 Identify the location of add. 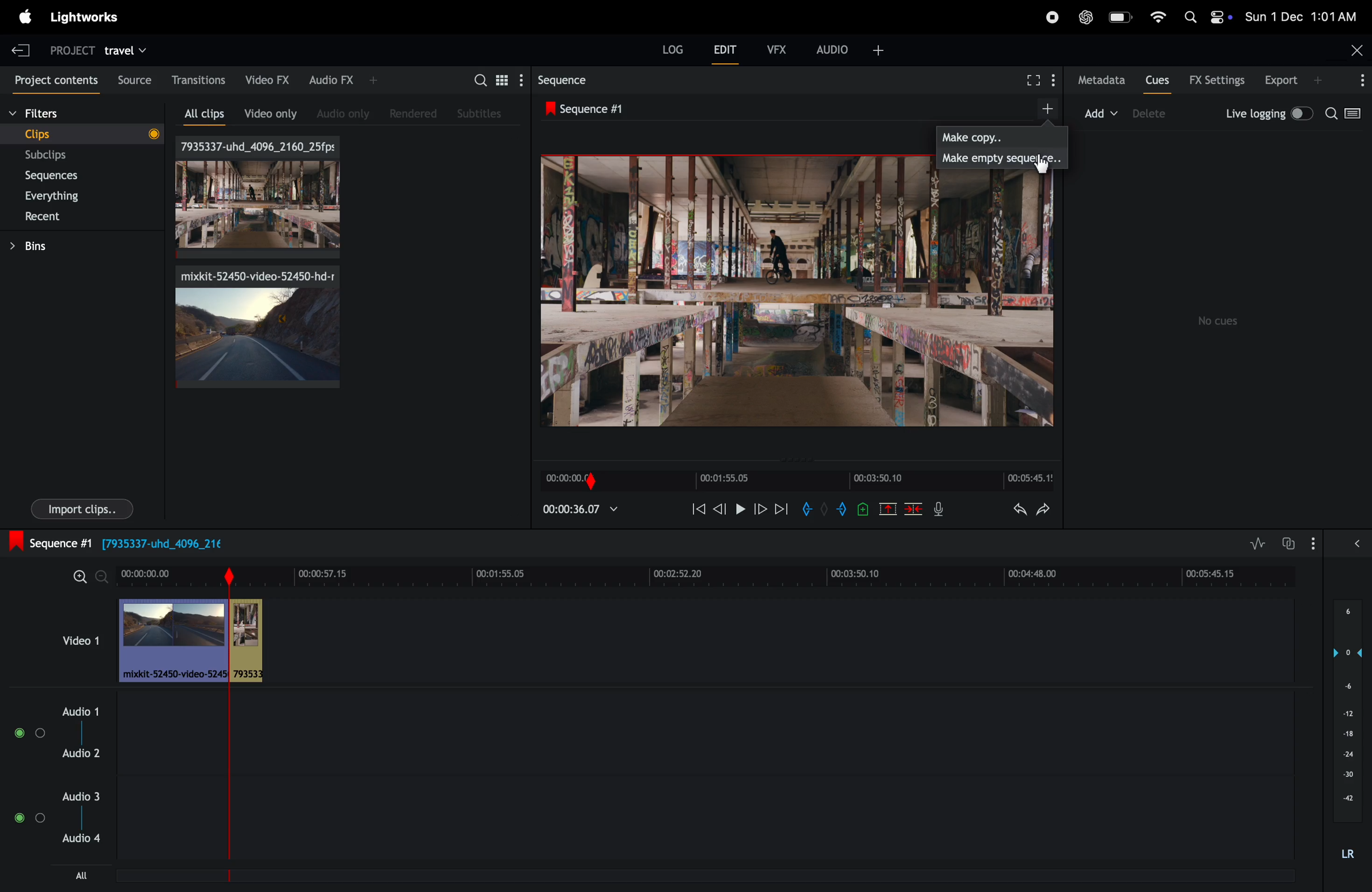
(1045, 108).